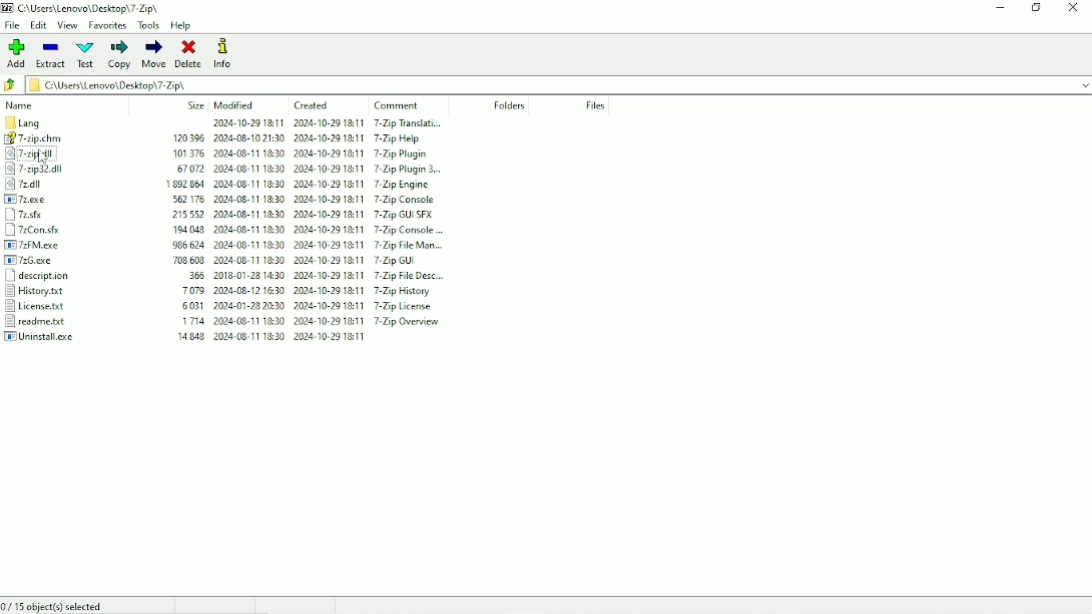 This screenshot has width=1092, height=614. Describe the element at coordinates (11, 85) in the screenshot. I see `Back` at that location.